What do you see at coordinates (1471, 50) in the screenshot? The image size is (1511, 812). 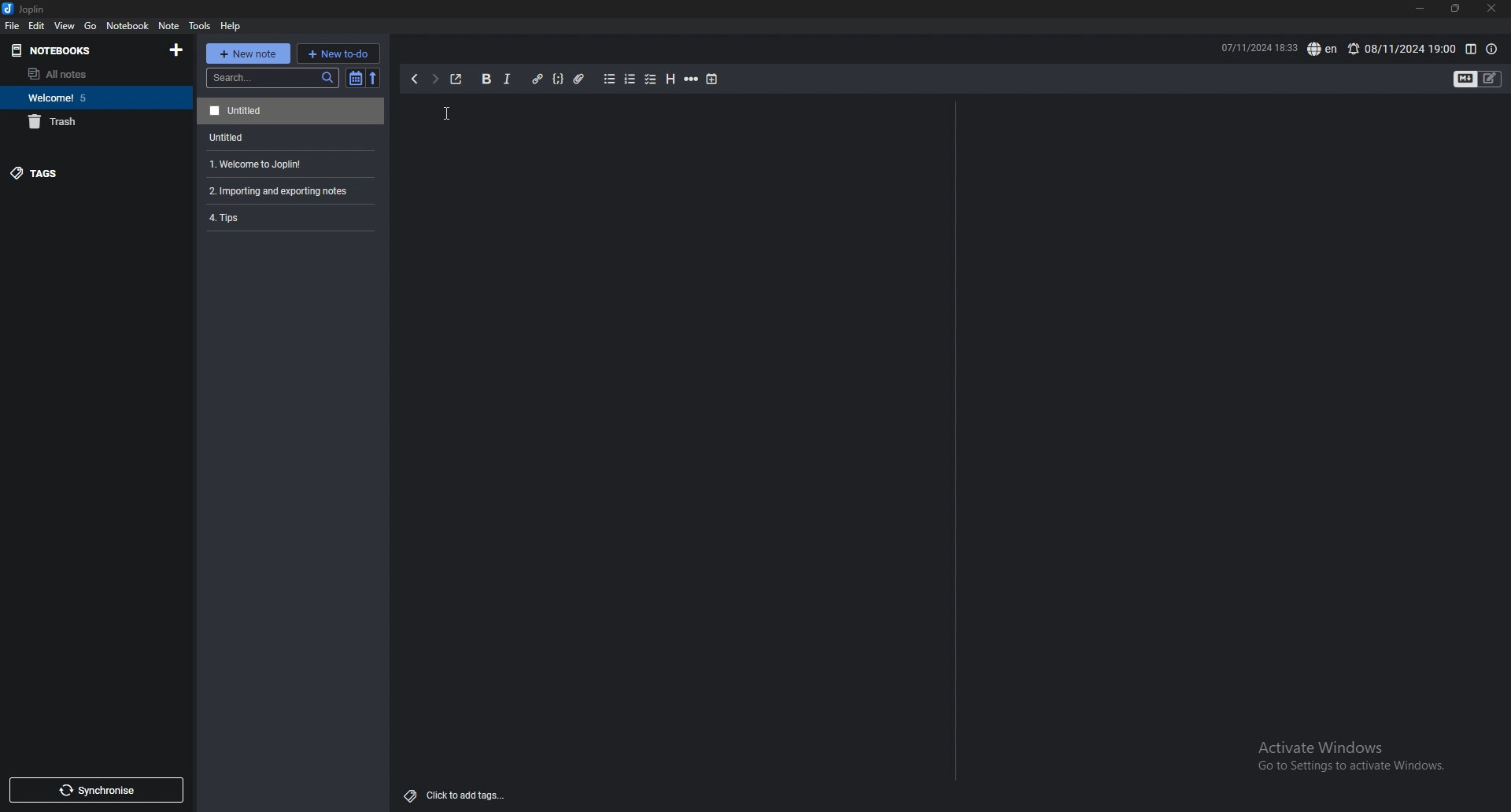 I see `toggle editor layout` at bounding box center [1471, 50].